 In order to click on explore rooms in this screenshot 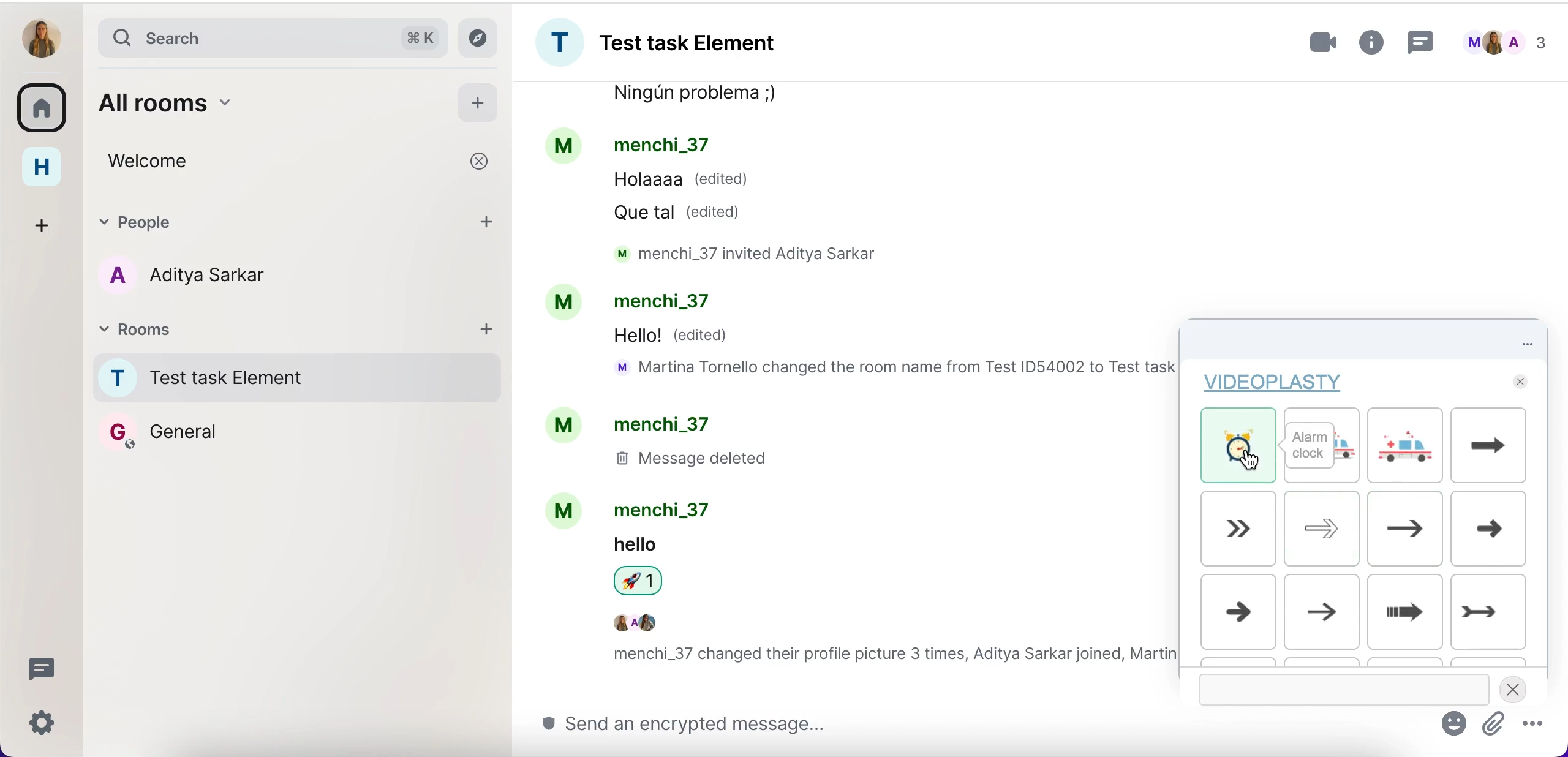, I will do `click(482, 36)`.